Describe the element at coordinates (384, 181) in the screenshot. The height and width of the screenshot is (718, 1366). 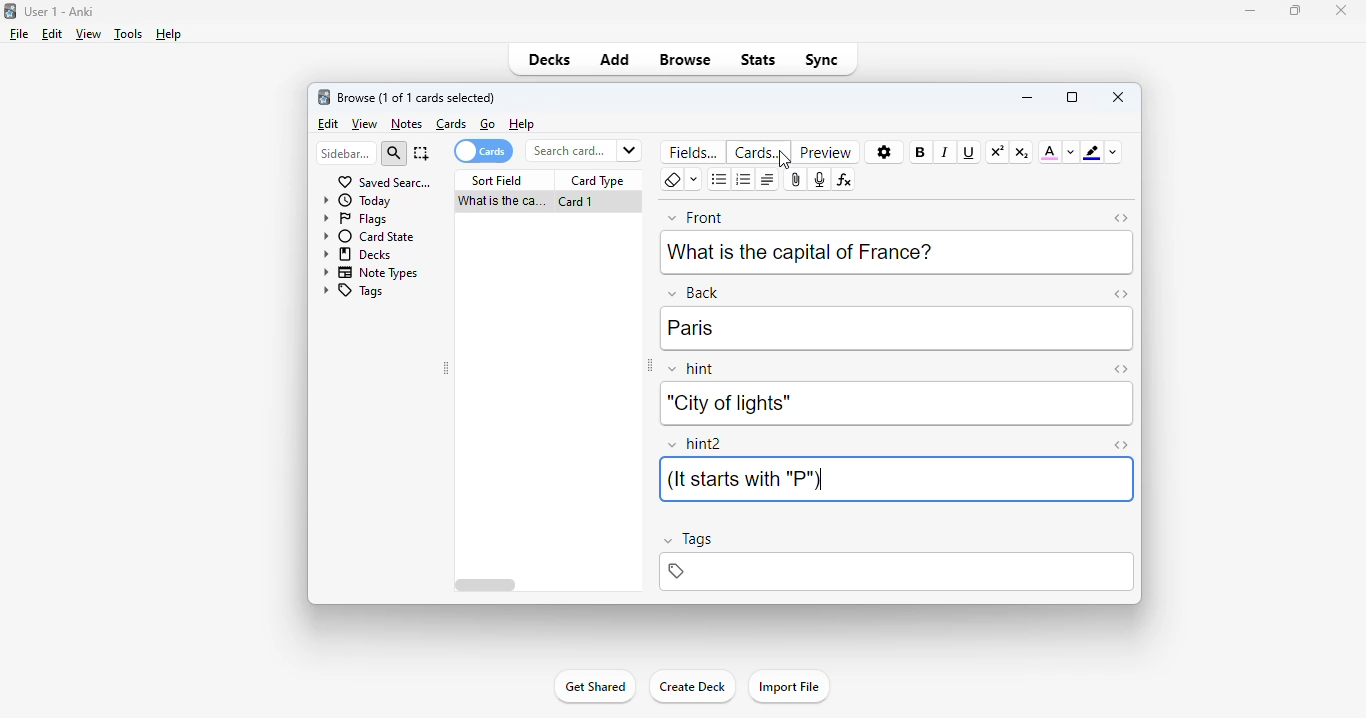
I see `saved searches` at that location.